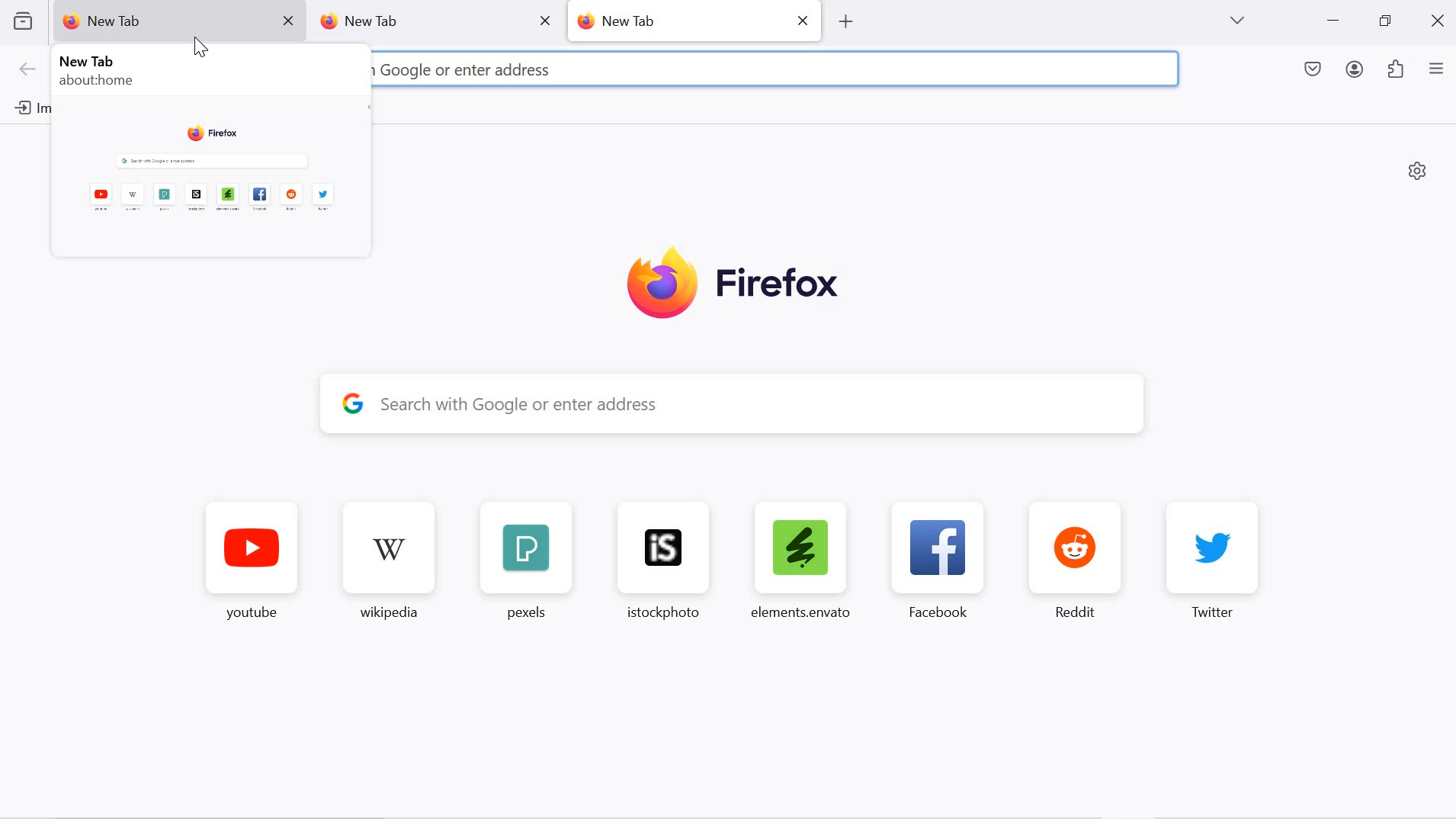 Image resolution: width=1456 pixels, height=819 pixels. I want to click on go back, so click(28, 70).